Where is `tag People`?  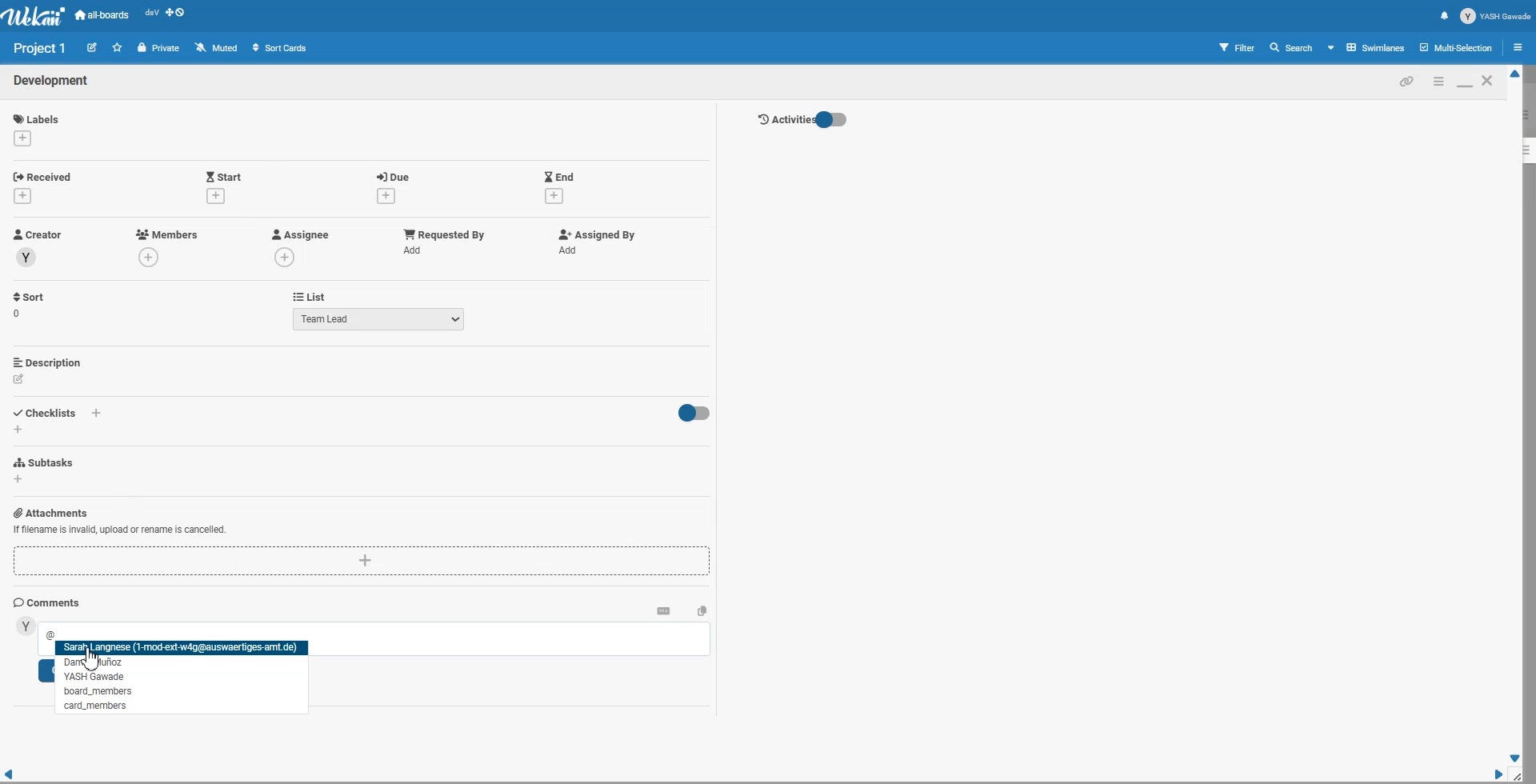
tag People is located at coordinates (96, 662).